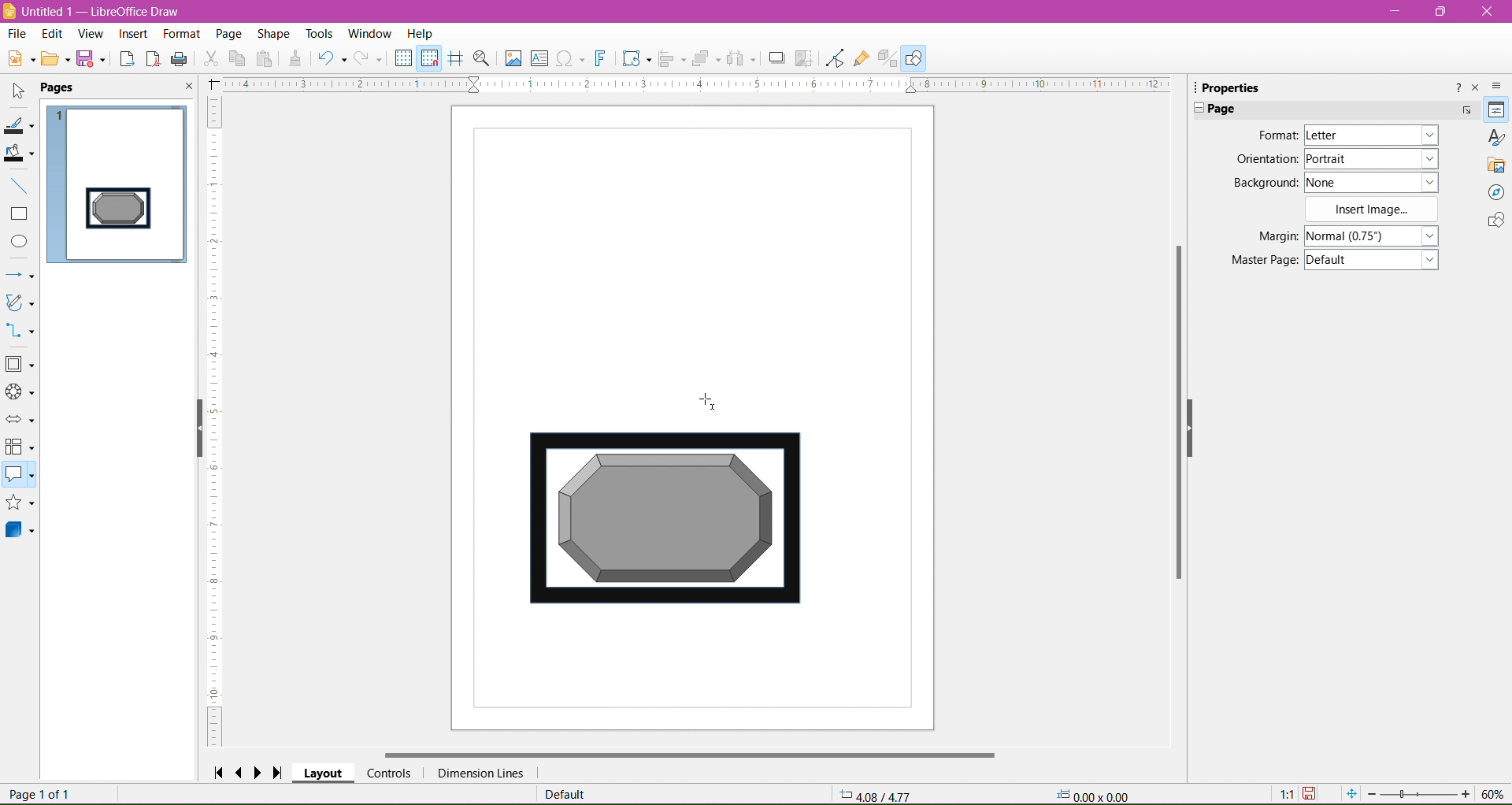 The image size is (1512, 805). I want to click on Drawe Callout Cursor, so click(710, 399).